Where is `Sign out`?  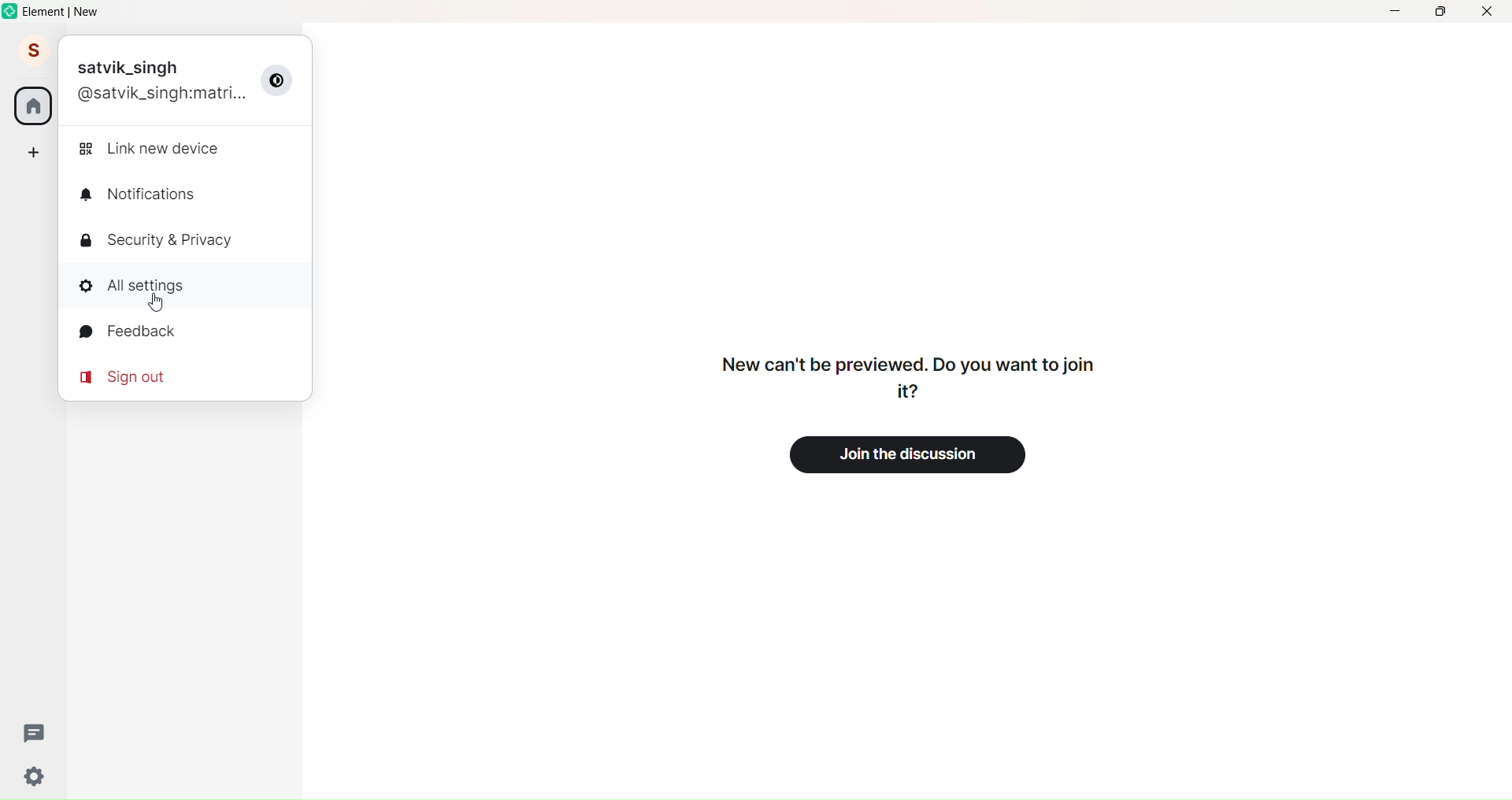 Sign out is located at coordinates (133, 376).